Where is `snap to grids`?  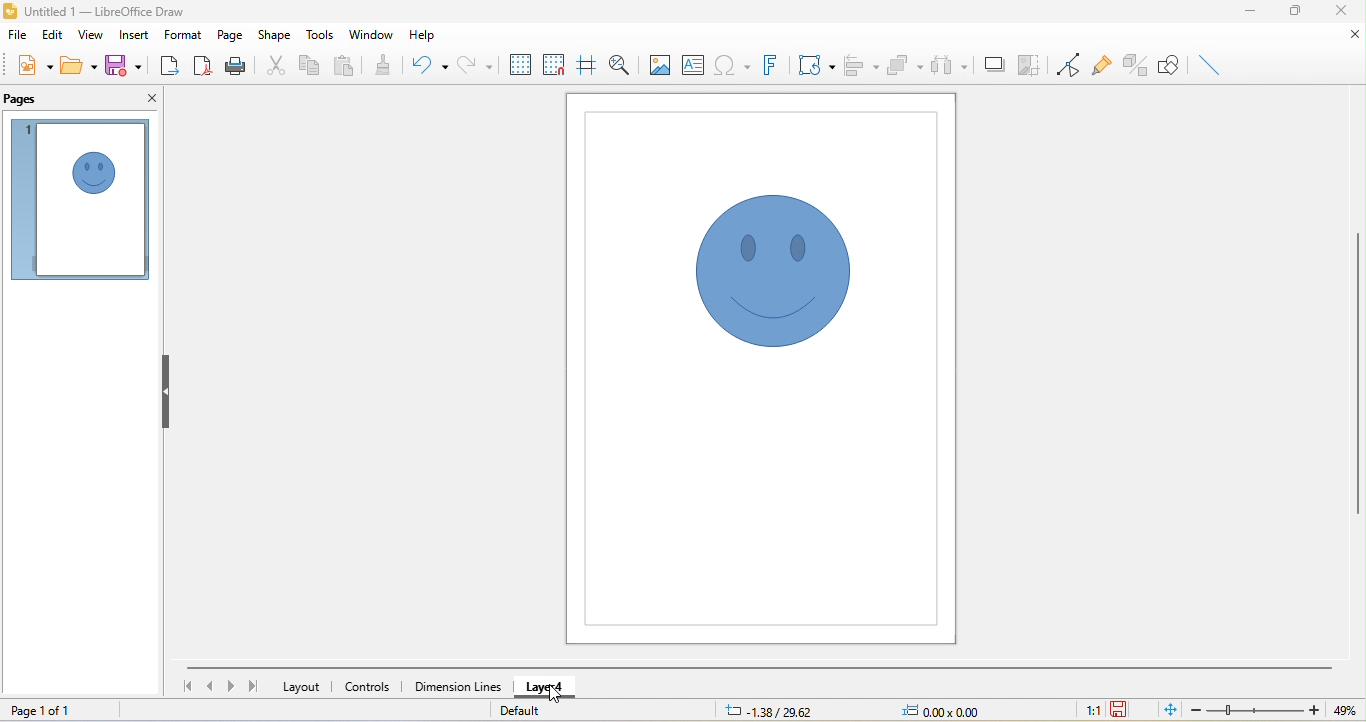 snap to grids is located at coordinates (556, 68).